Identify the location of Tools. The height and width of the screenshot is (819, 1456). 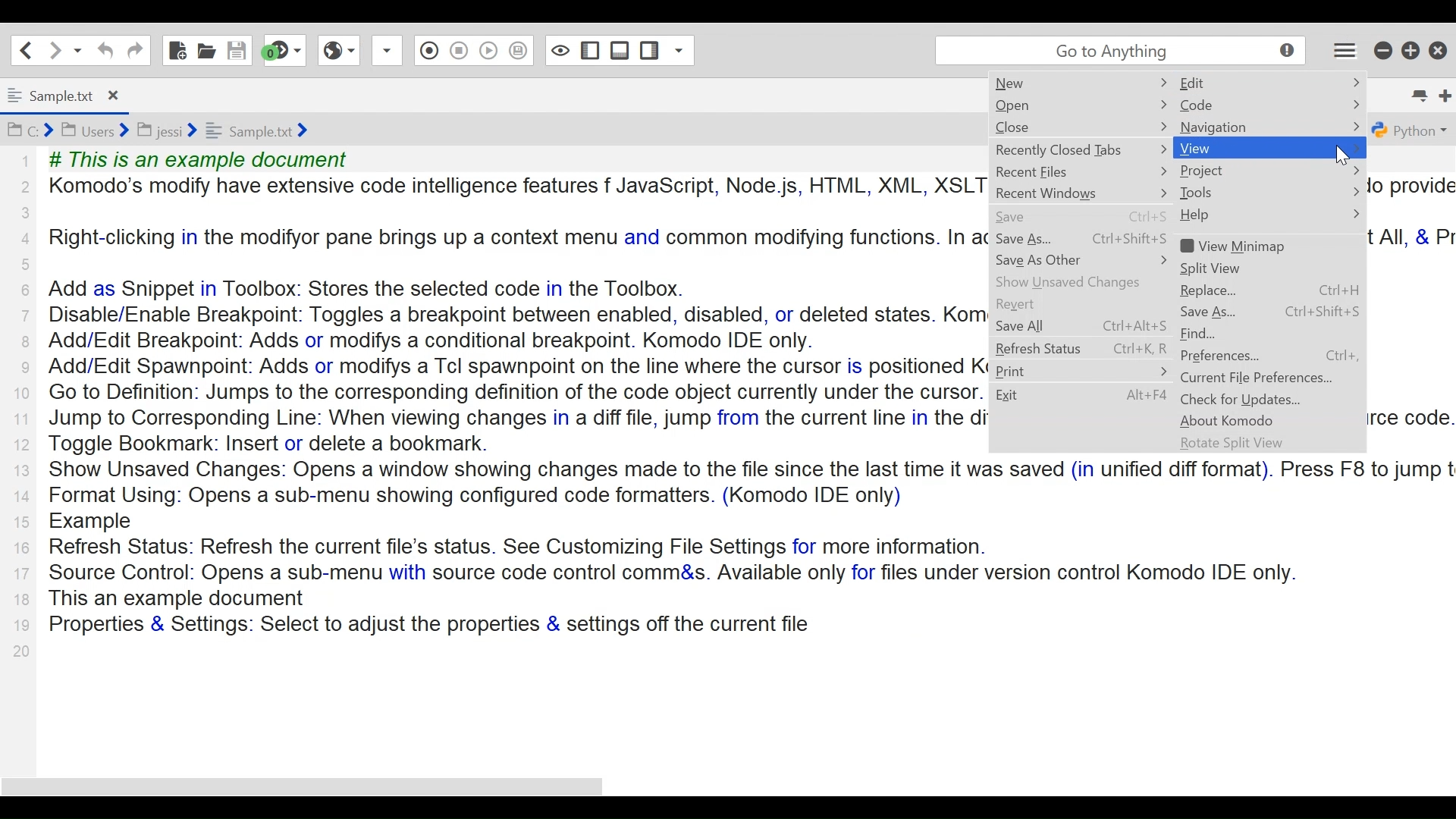
(1221, 193).